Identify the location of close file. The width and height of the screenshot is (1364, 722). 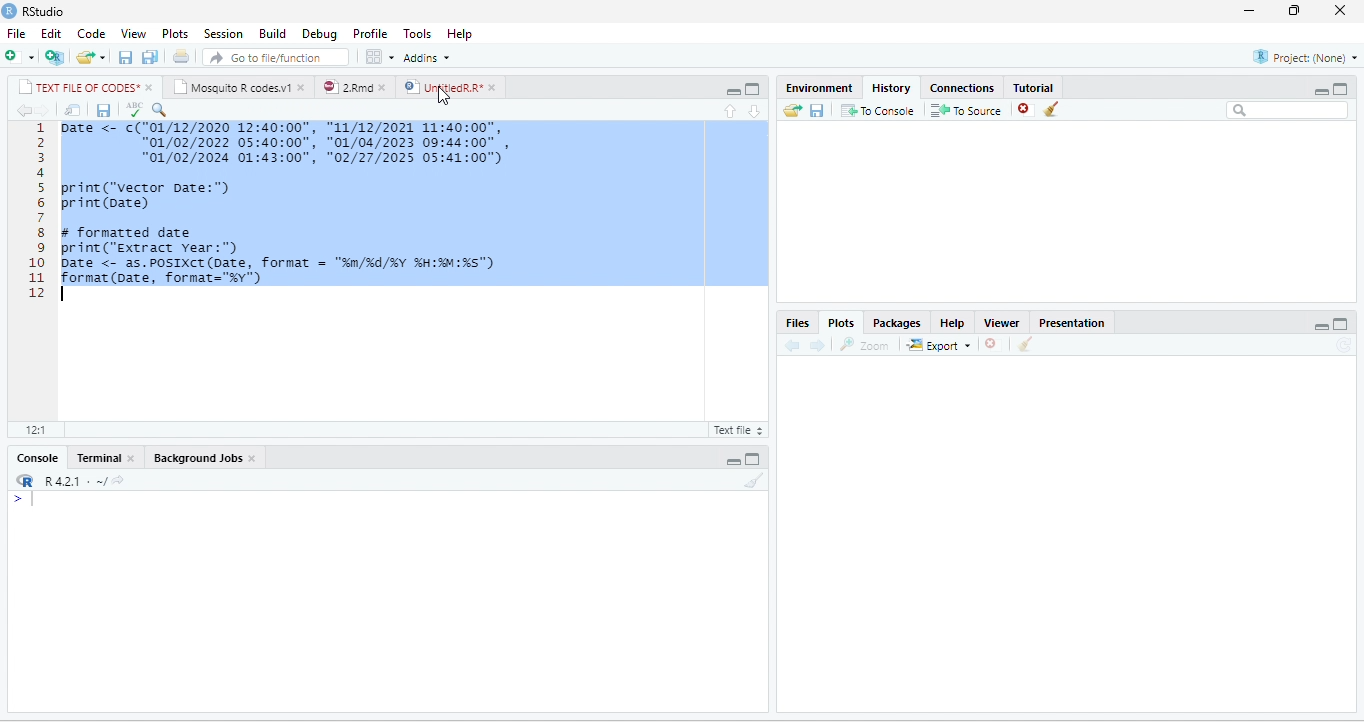
(1026, 109).